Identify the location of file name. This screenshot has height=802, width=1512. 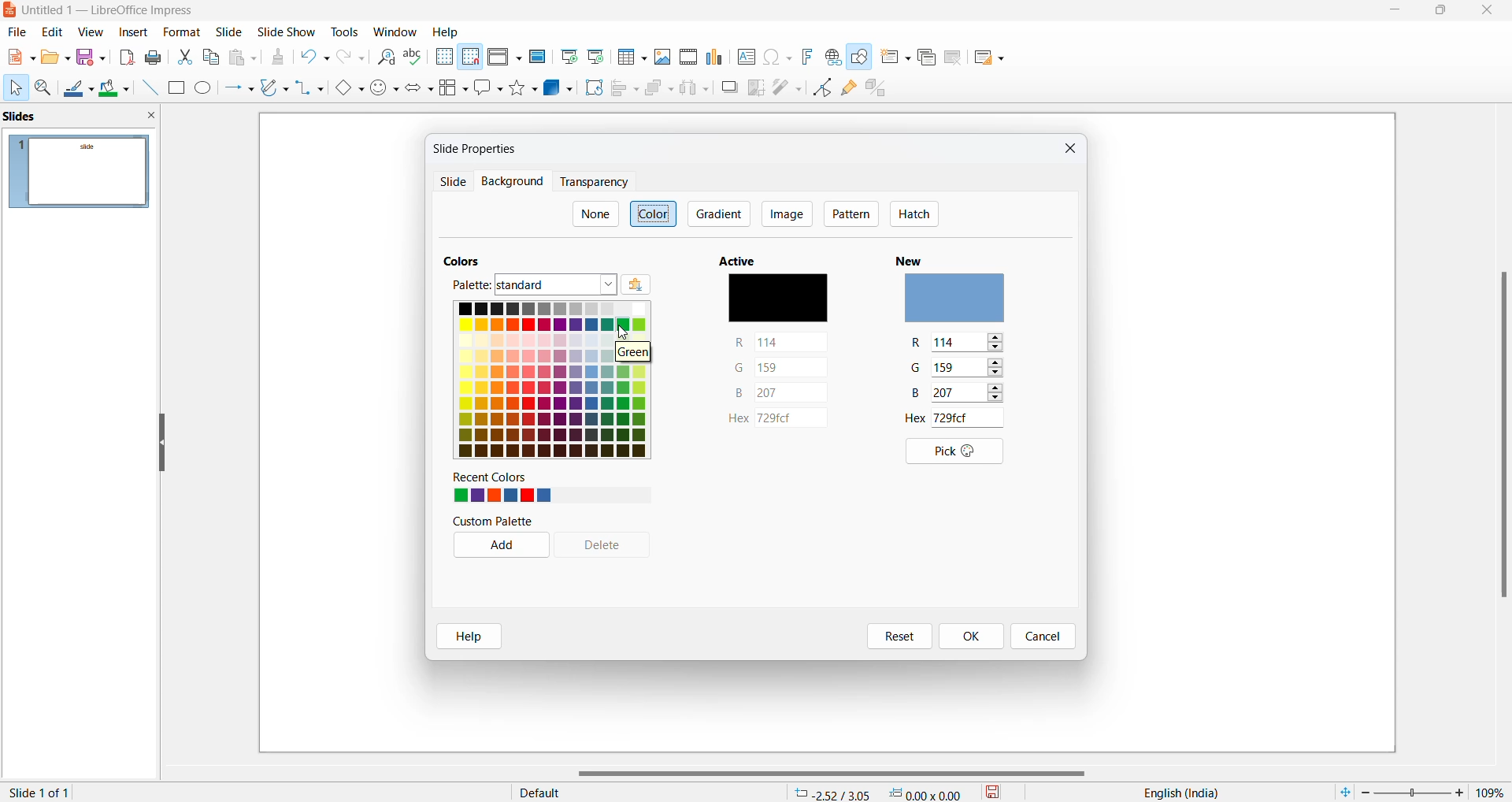
(103, 12).